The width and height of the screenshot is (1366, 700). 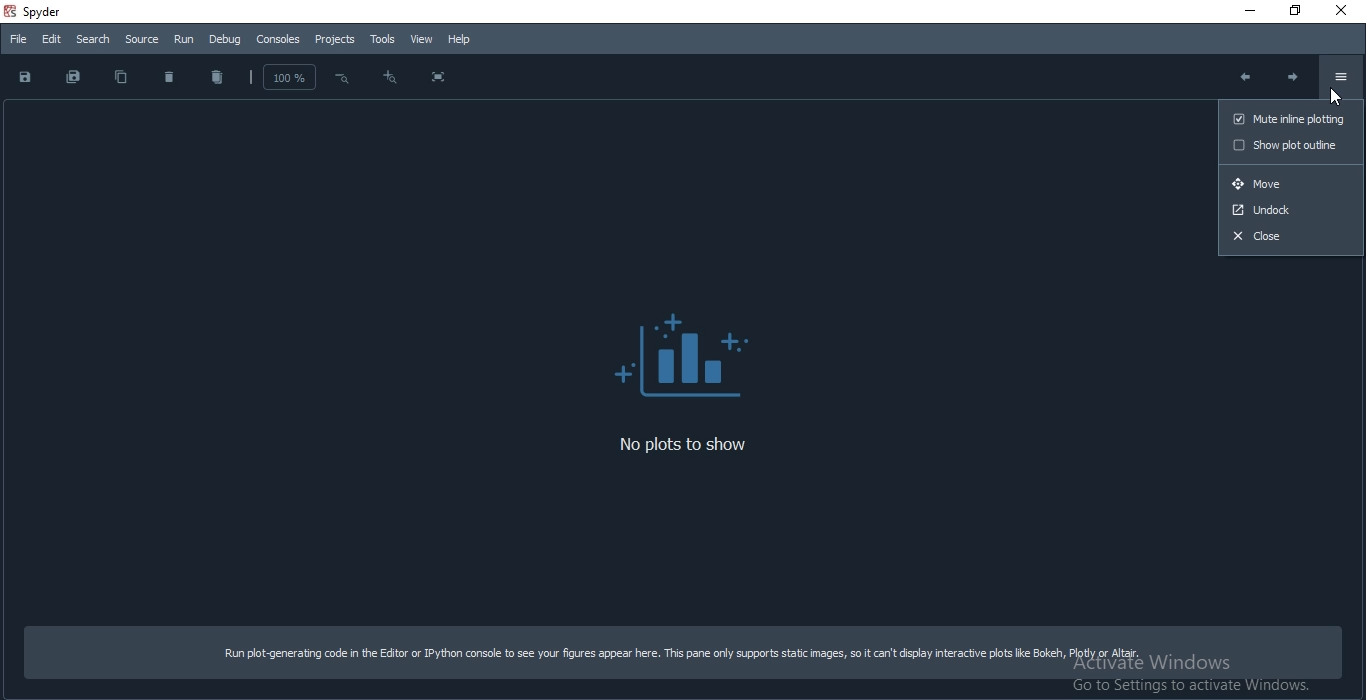 I want to click on Save, so click(x=25, y=77).